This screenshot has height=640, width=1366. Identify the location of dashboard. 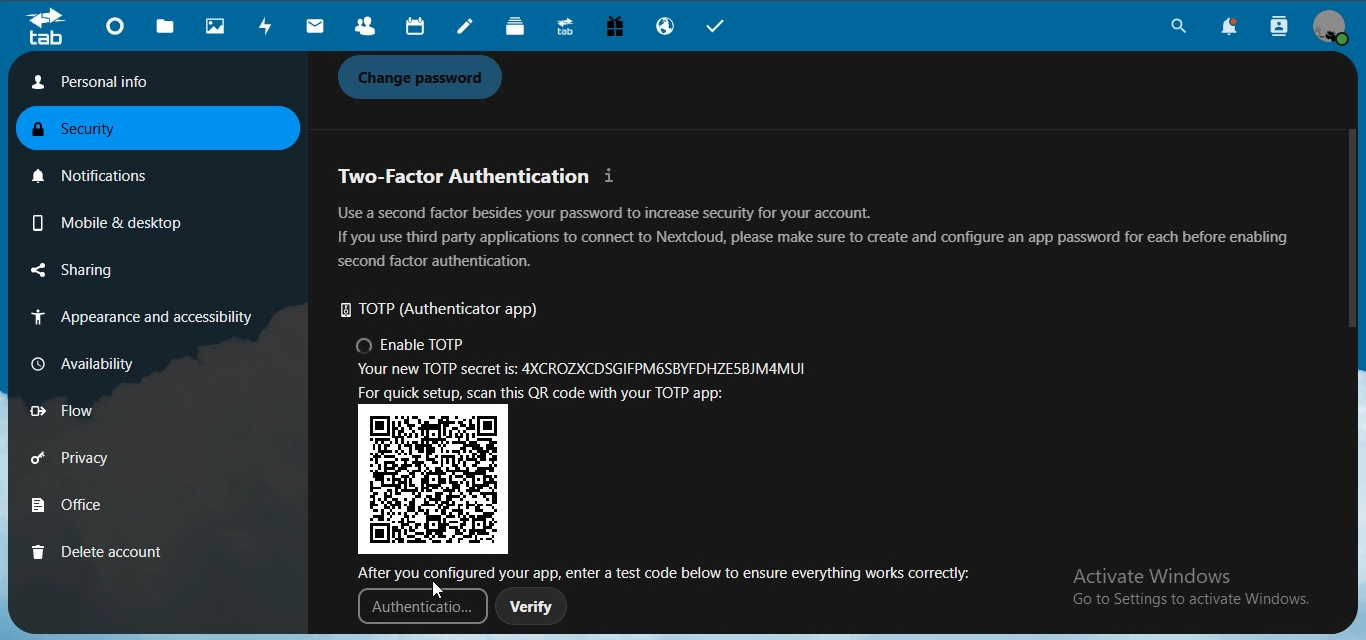
(118, 29).